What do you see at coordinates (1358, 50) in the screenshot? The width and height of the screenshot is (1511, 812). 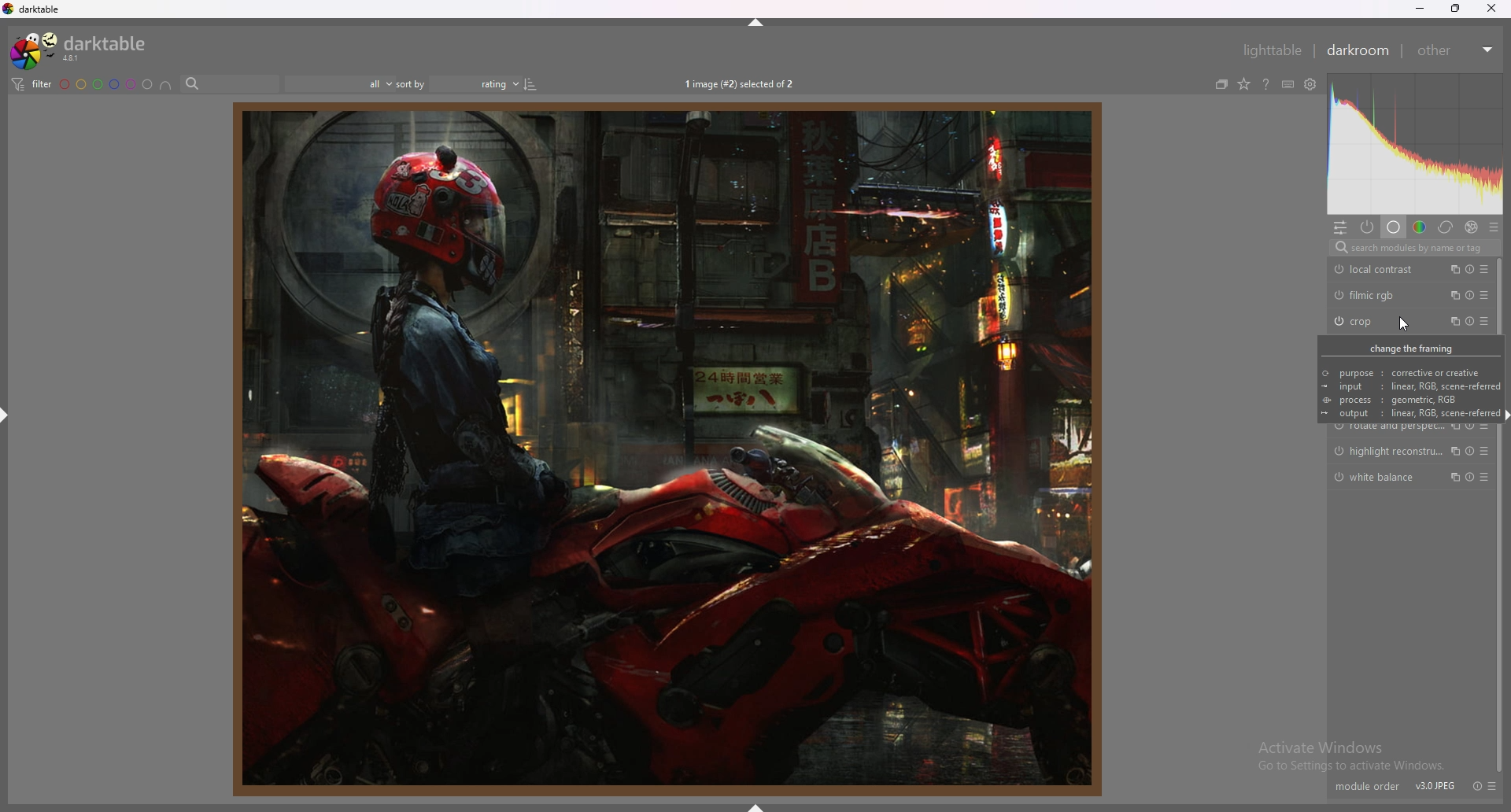 I see `darkroom` at bounding box center [1358, 50].